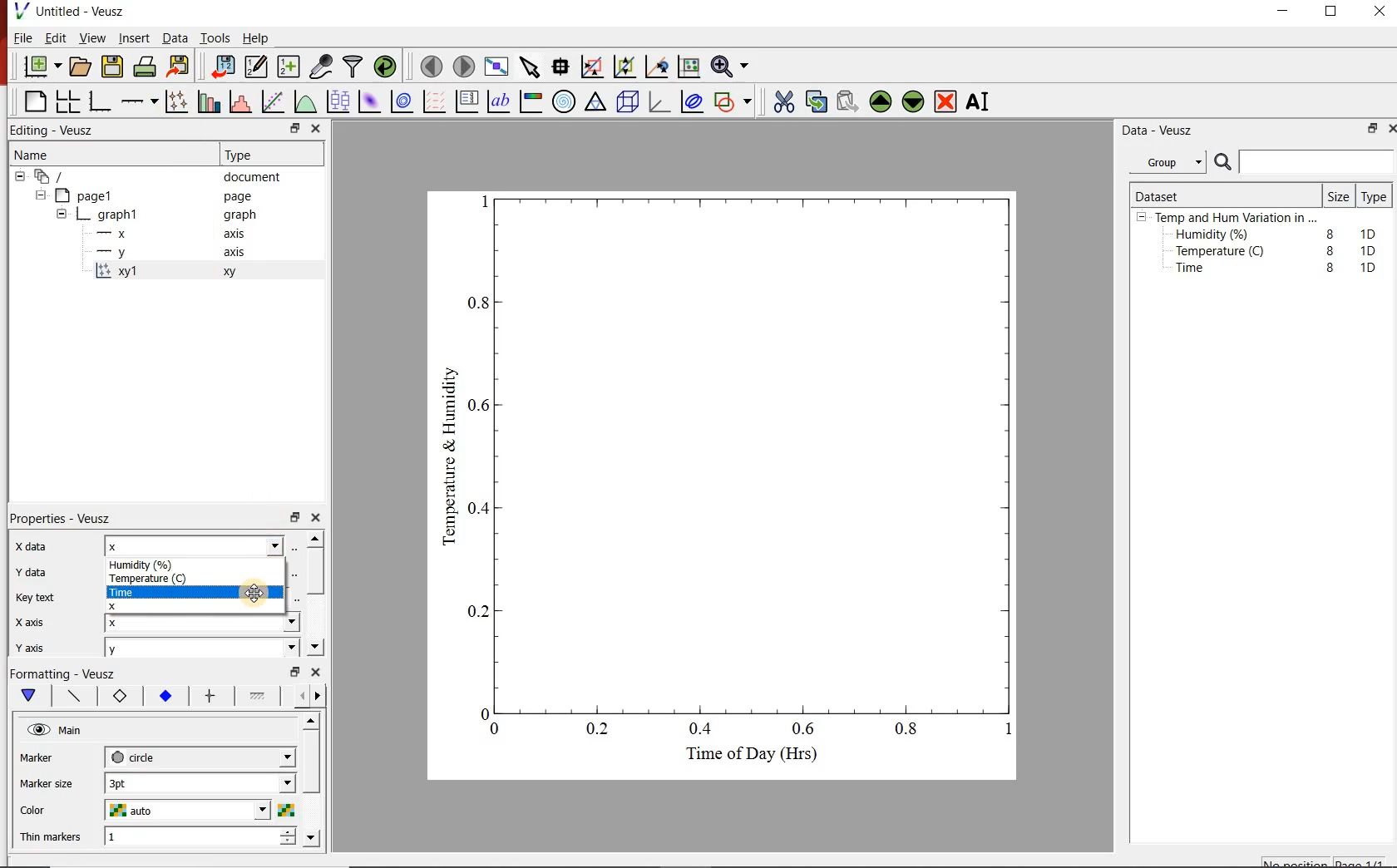 This screenshot has width=1397, height=868. What do you see at coordinates (294, 518) in the screenshot?
I see `restore down` at bounding box center [294, 518].